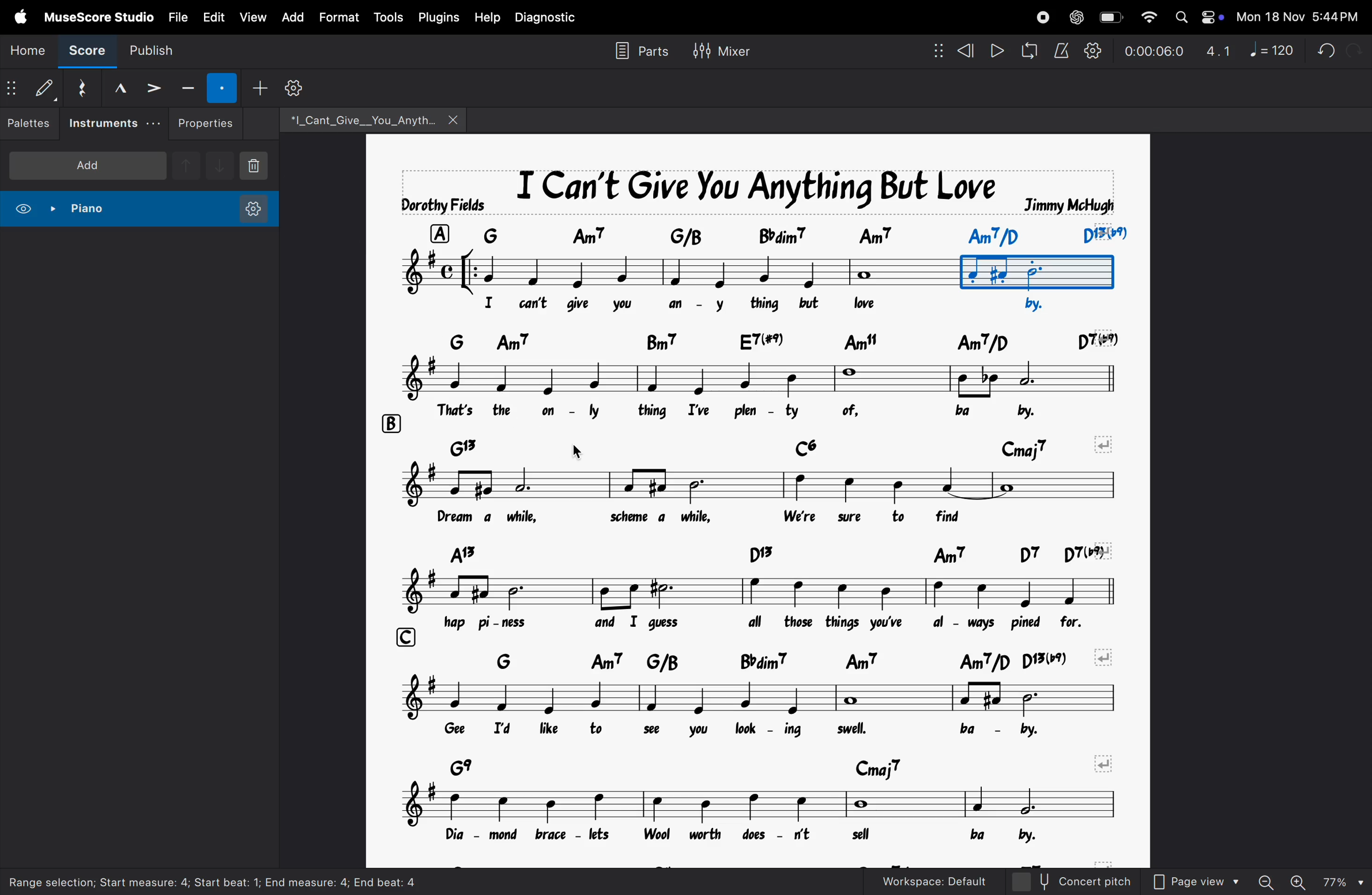  I want to click on playback settings, so click(1094, 51).